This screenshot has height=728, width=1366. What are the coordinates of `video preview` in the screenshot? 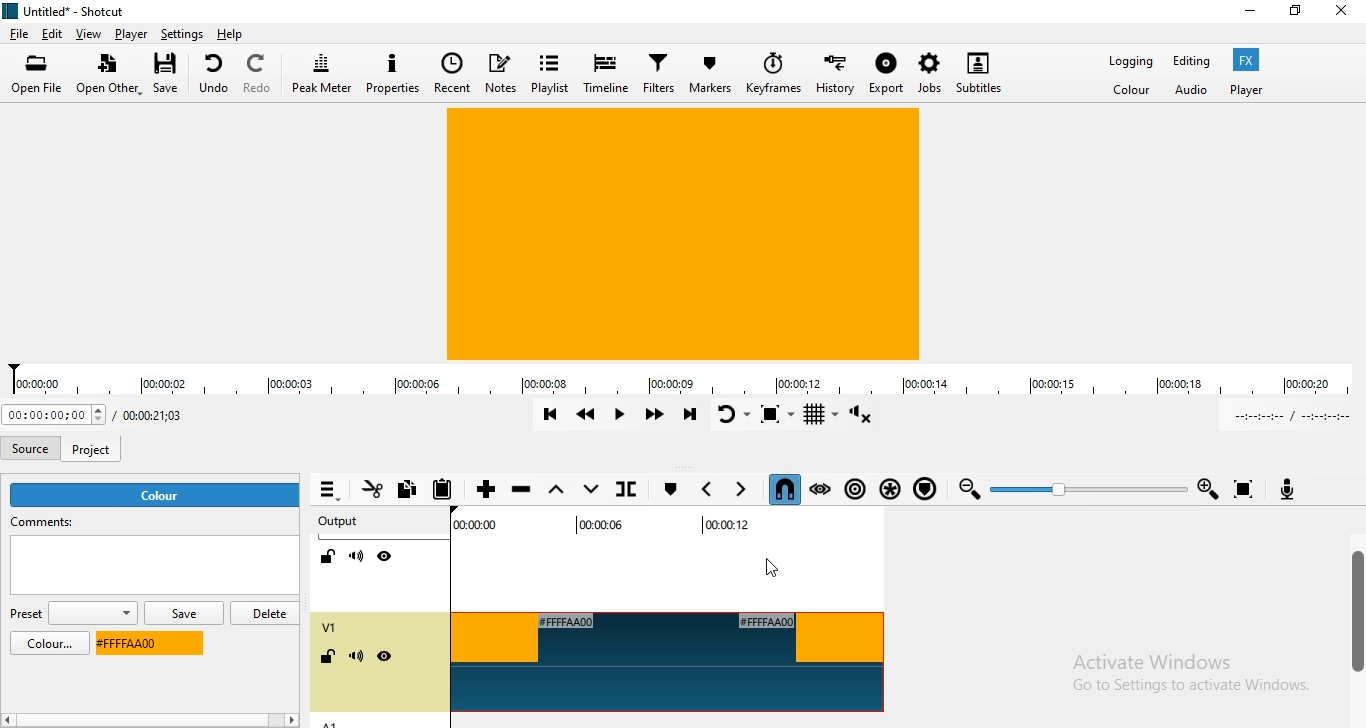 It's located at (682, 236).